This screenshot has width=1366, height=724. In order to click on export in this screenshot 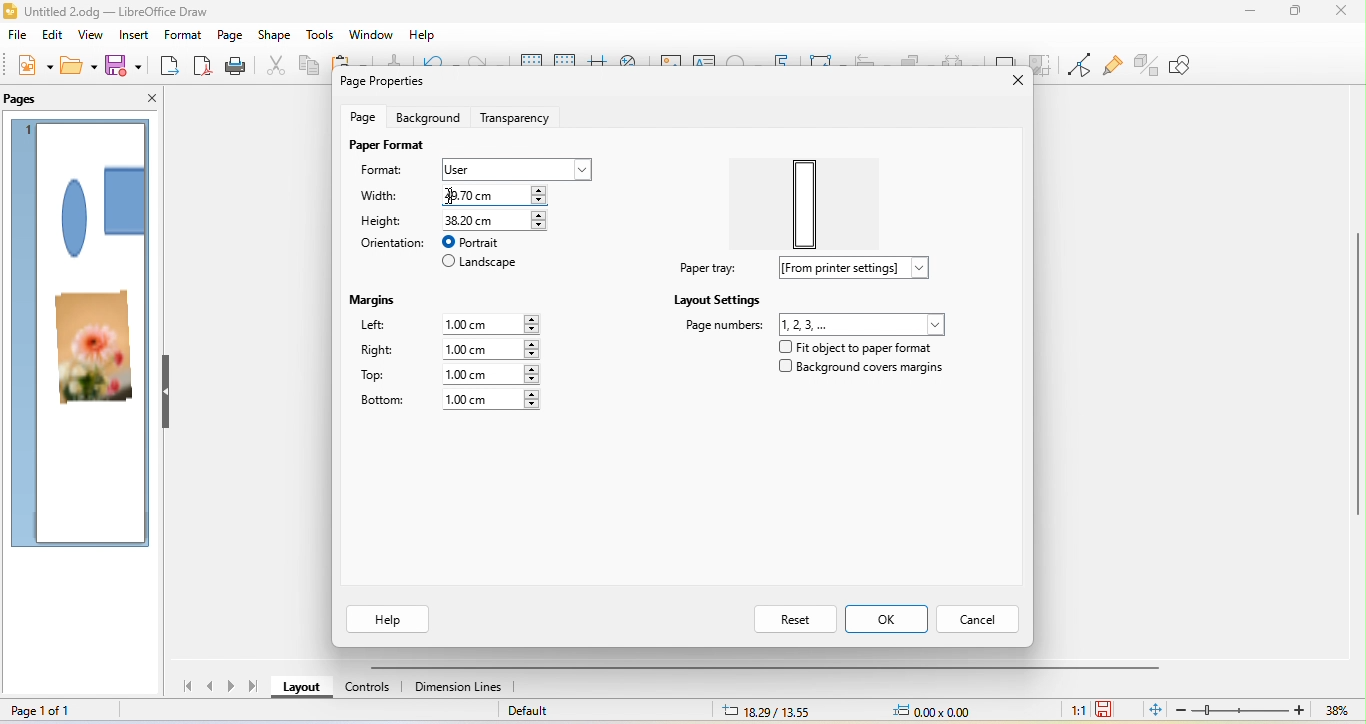, I will do `click(170, 67)`.